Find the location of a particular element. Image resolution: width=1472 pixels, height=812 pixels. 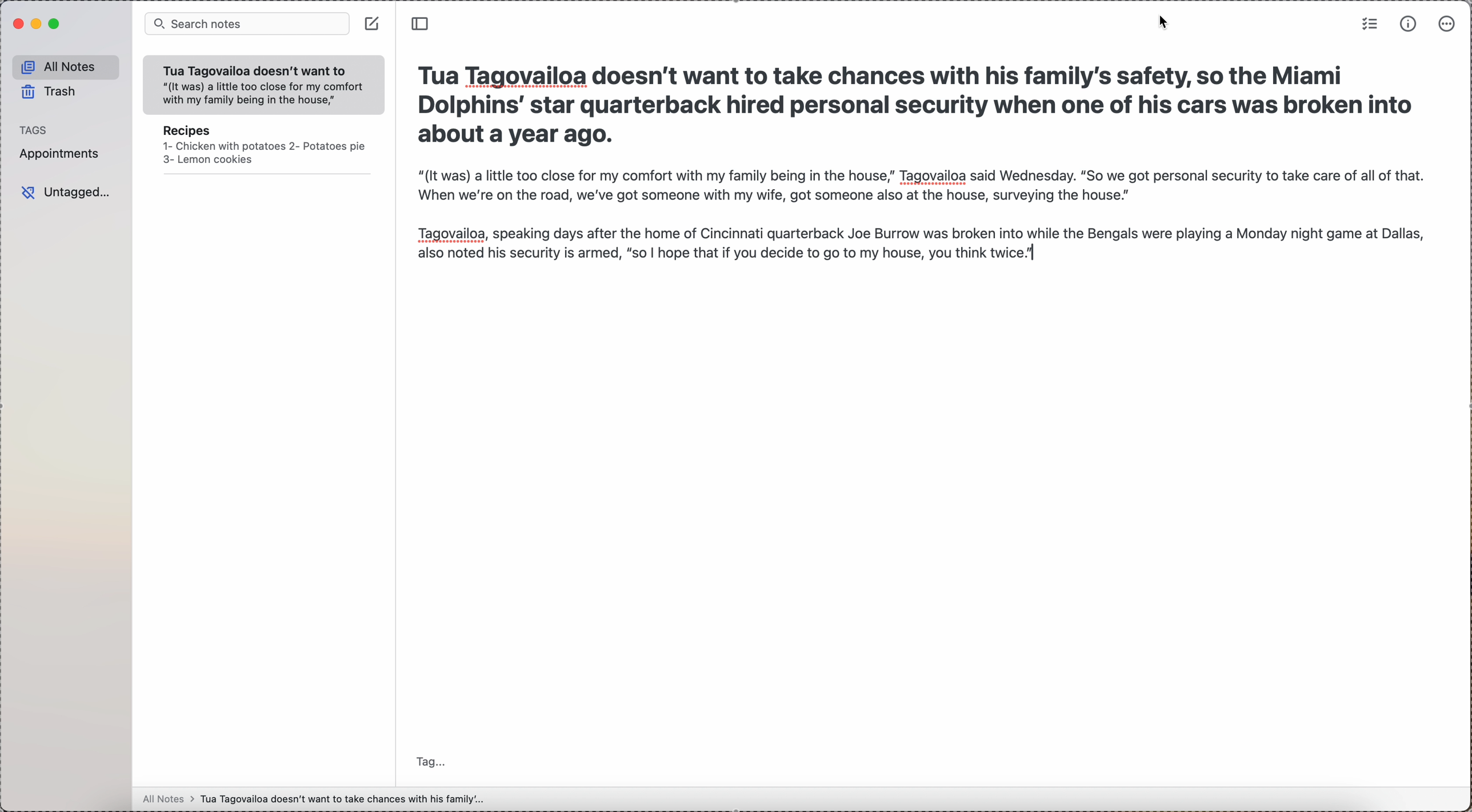

trash is located at coordinates (50, 92).